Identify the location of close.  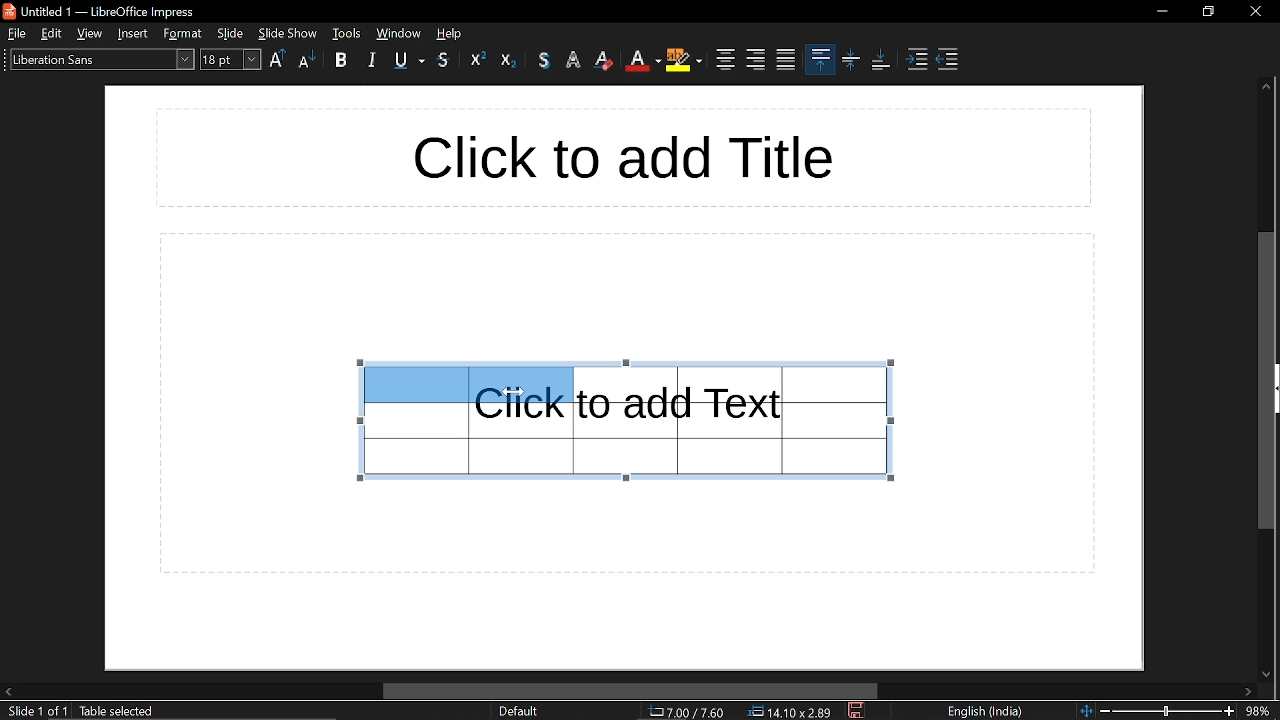
(1254, 9).